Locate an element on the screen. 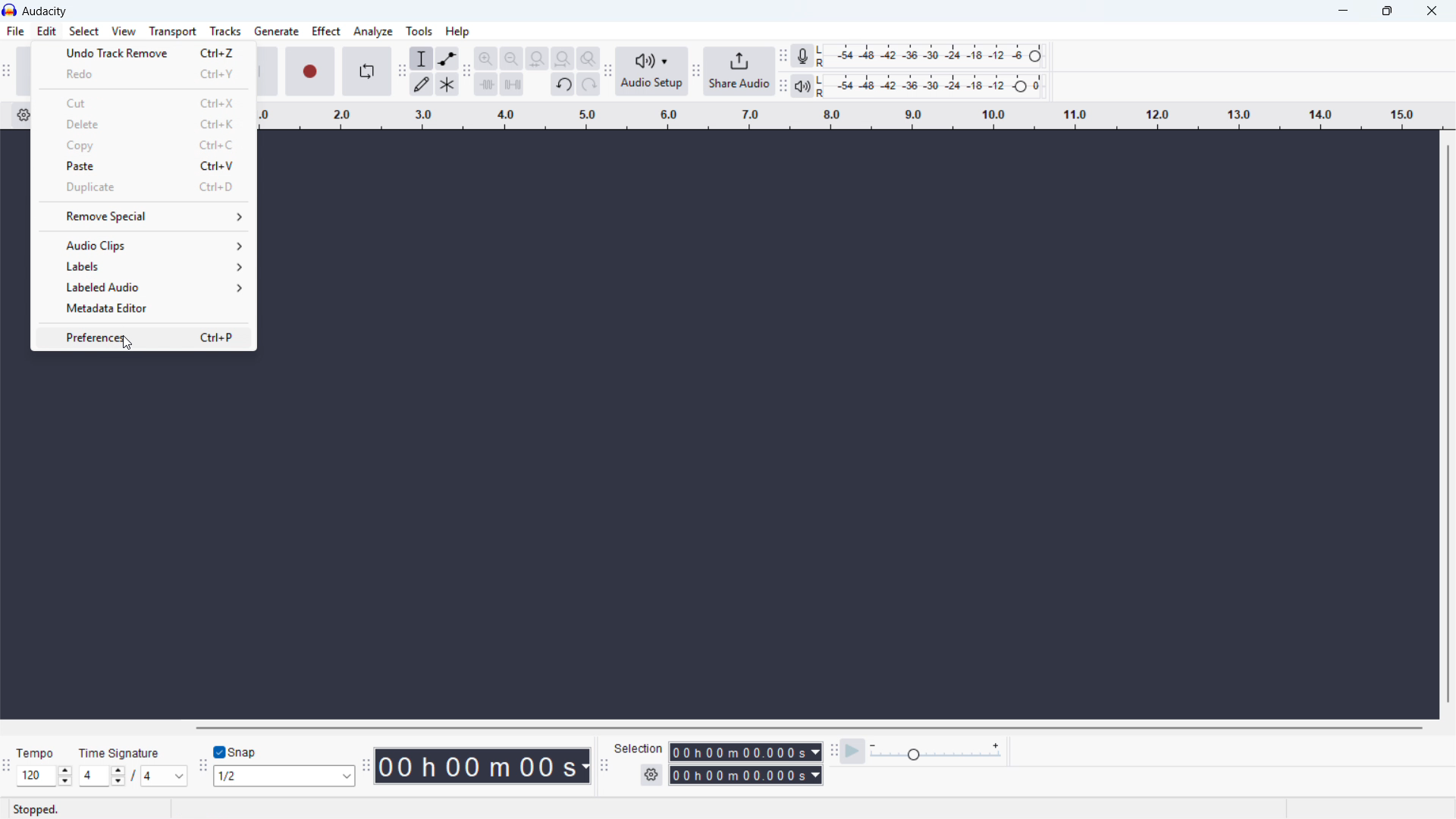 The height and width of the screenshot is (819, 1456). stopped is located at coordinates (36, 811).